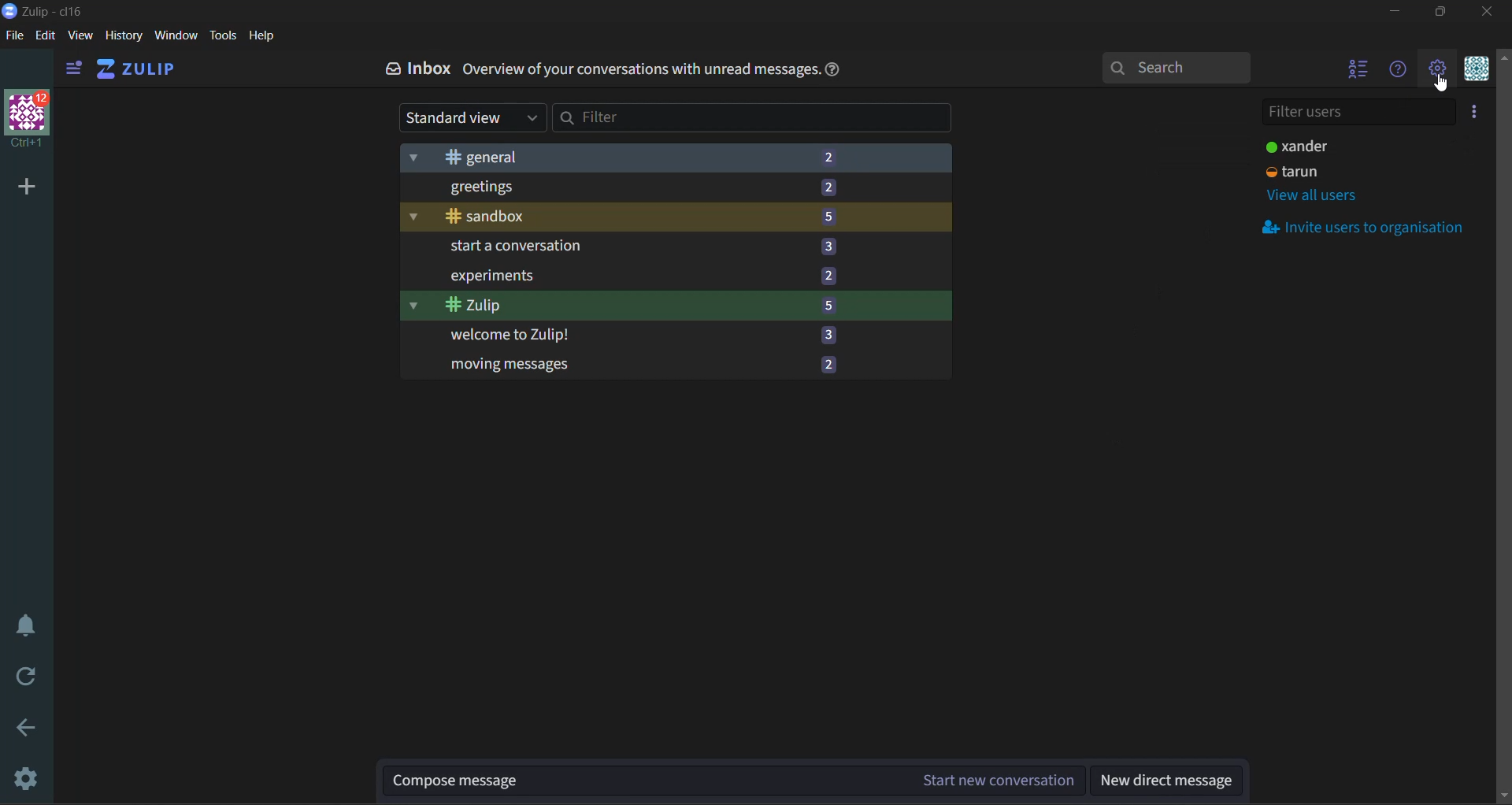 Image resolution: width=1512 pixels, height=805 pixels. I want to click on file, so click(13, 36).